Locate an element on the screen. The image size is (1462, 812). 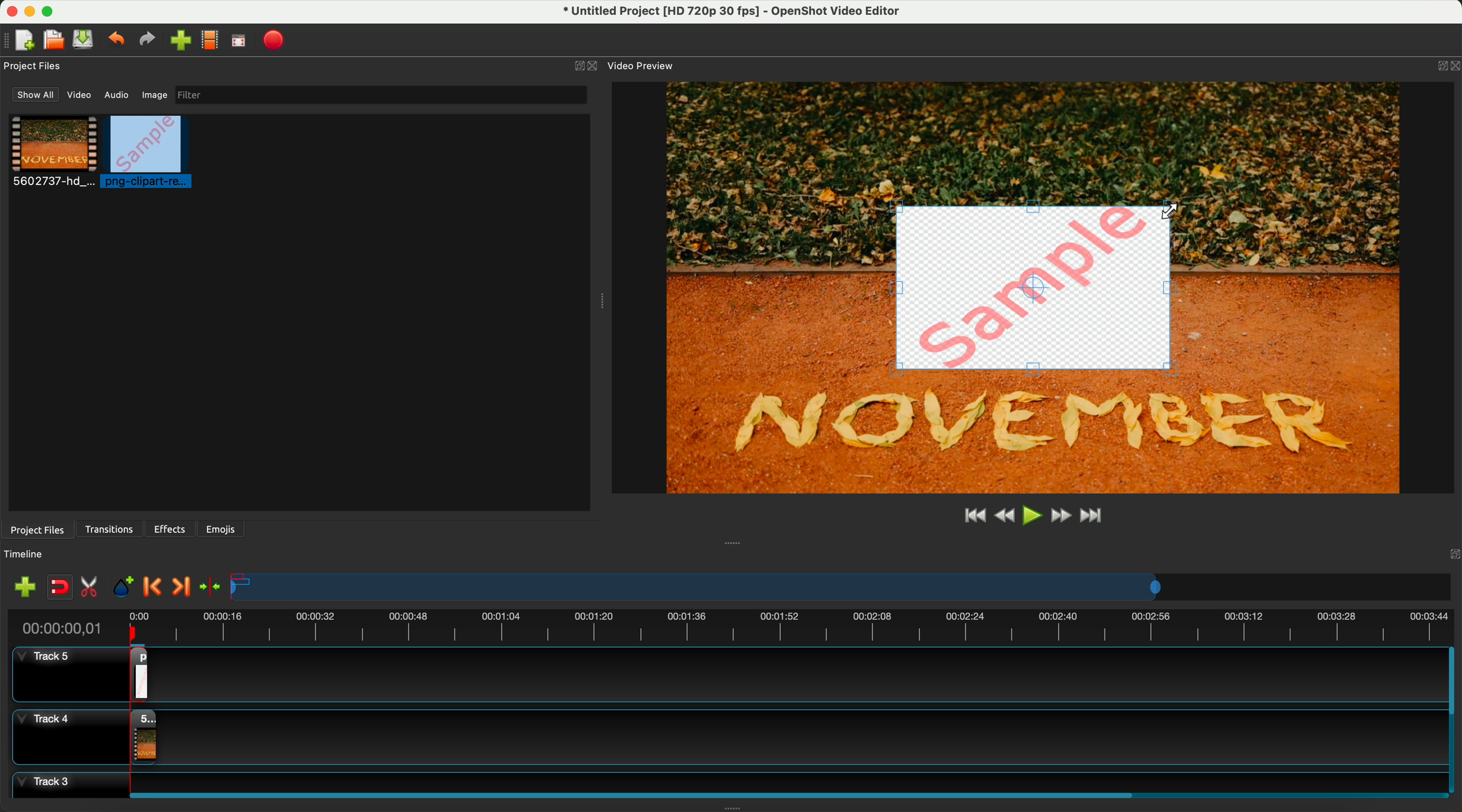
play is located at coordinates (1032, 515).